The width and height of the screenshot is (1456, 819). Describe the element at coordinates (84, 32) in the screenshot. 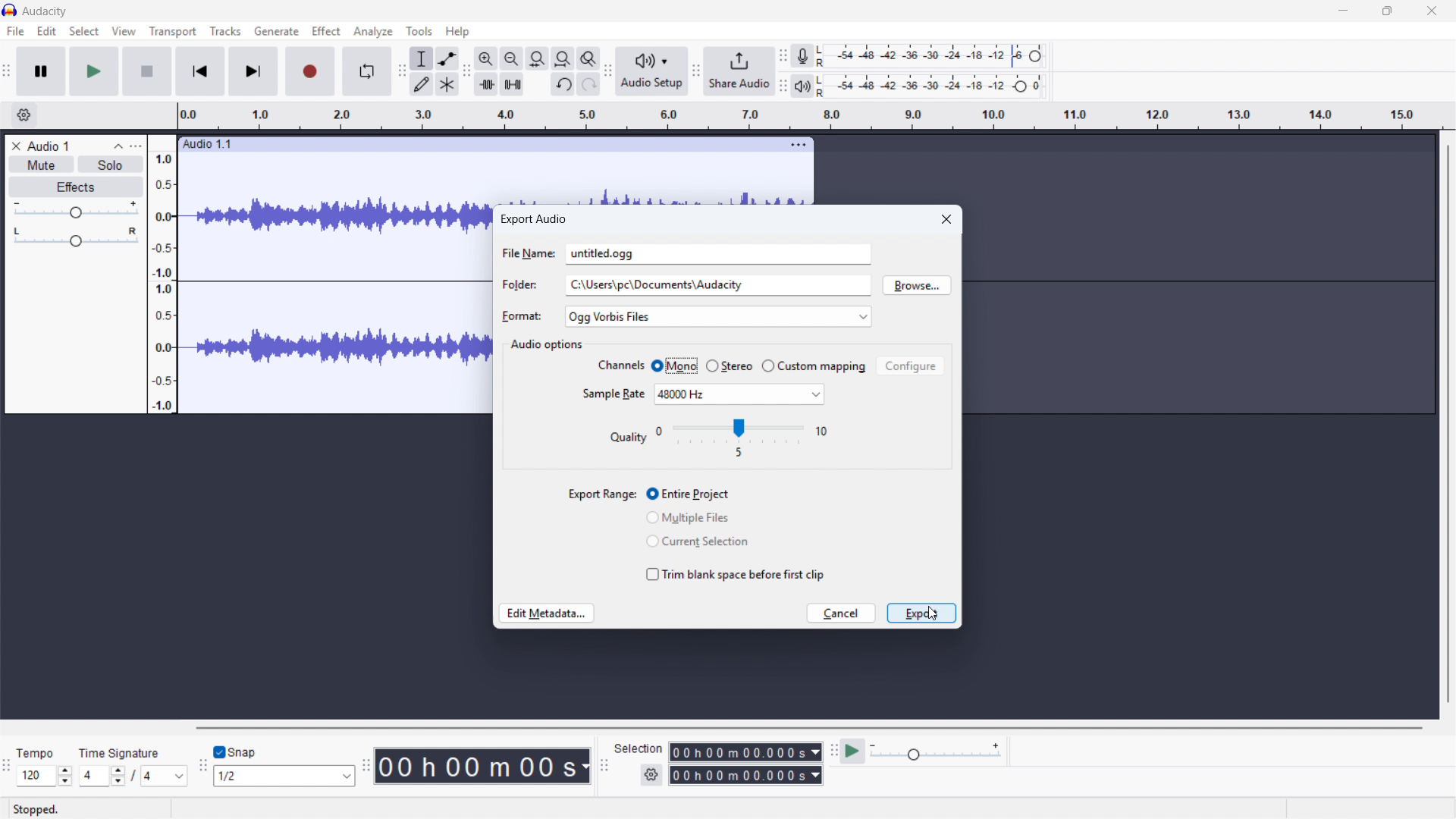

I see `Select ` at that location.